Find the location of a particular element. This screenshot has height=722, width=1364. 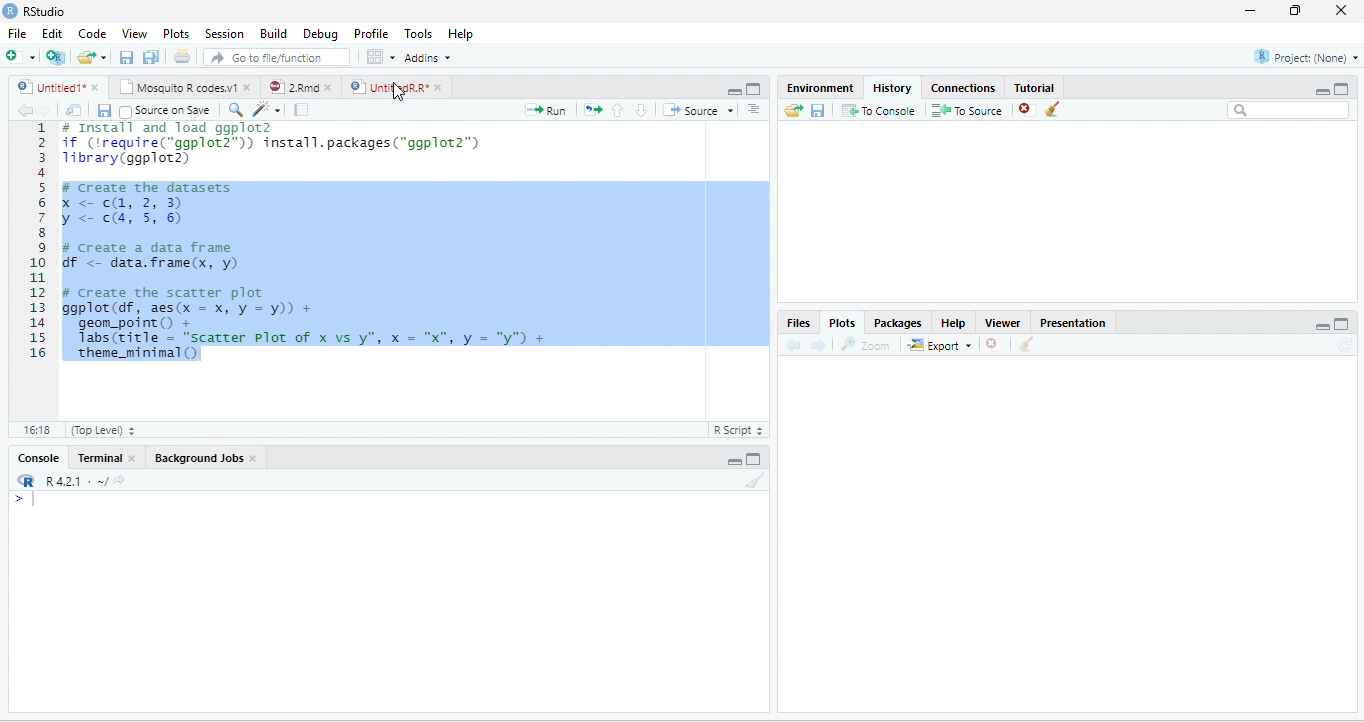

Go forward to next source location is located at coordinates (44, 111).